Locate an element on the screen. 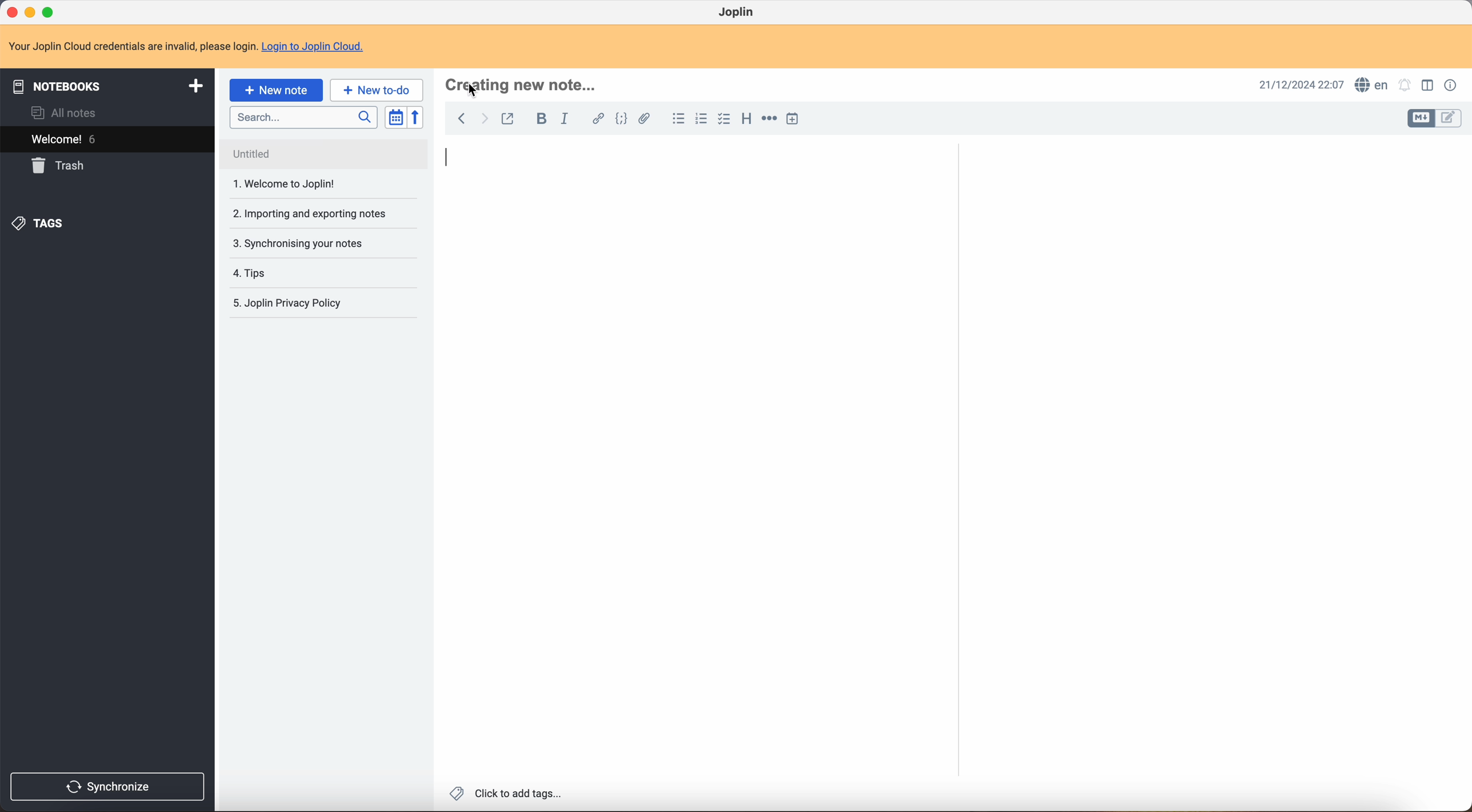  search bar is located at coordinates (305, 118).